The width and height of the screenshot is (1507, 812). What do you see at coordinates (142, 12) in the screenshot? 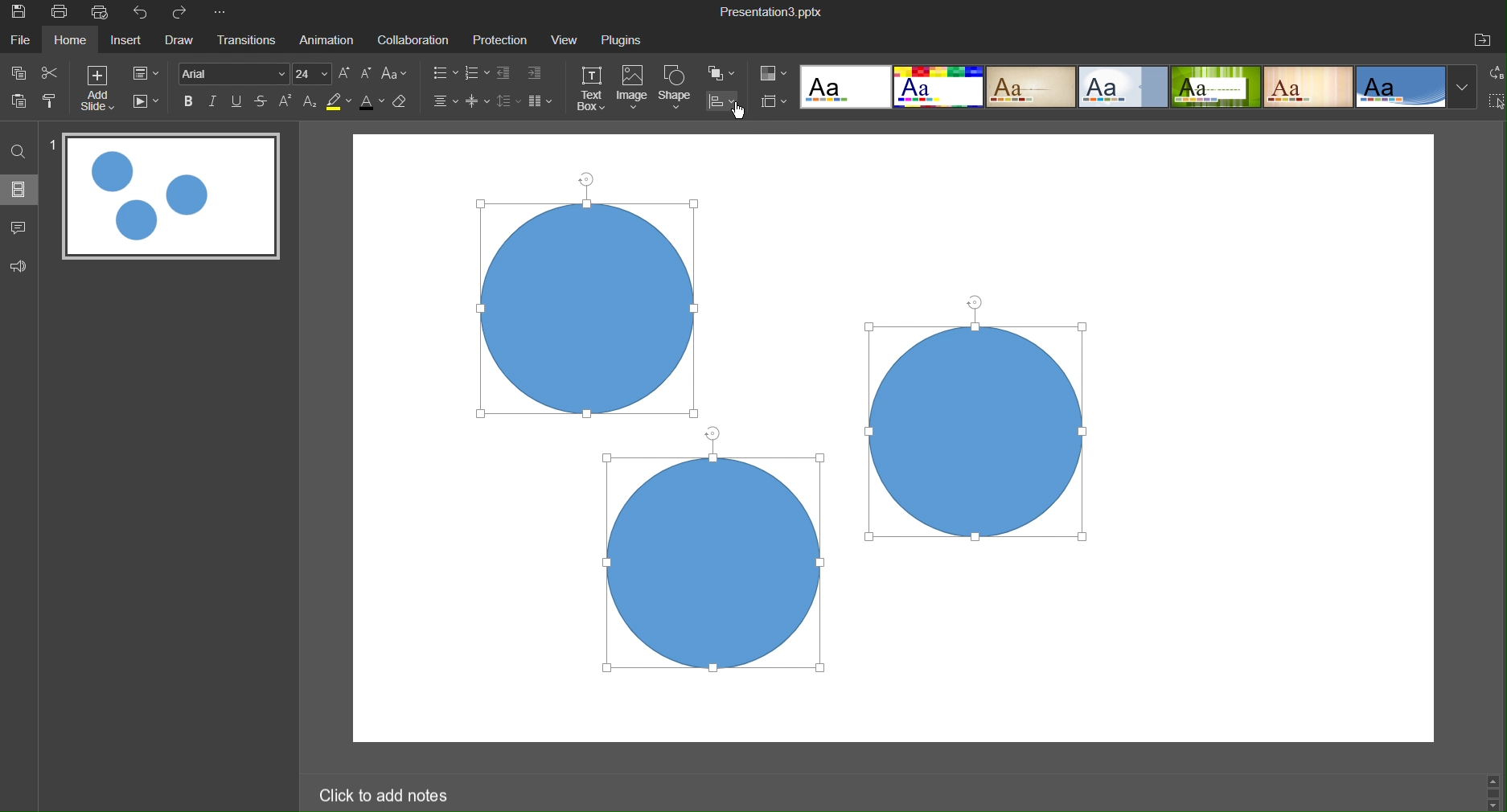
I see `Undo` at bounding box center [142, 12].